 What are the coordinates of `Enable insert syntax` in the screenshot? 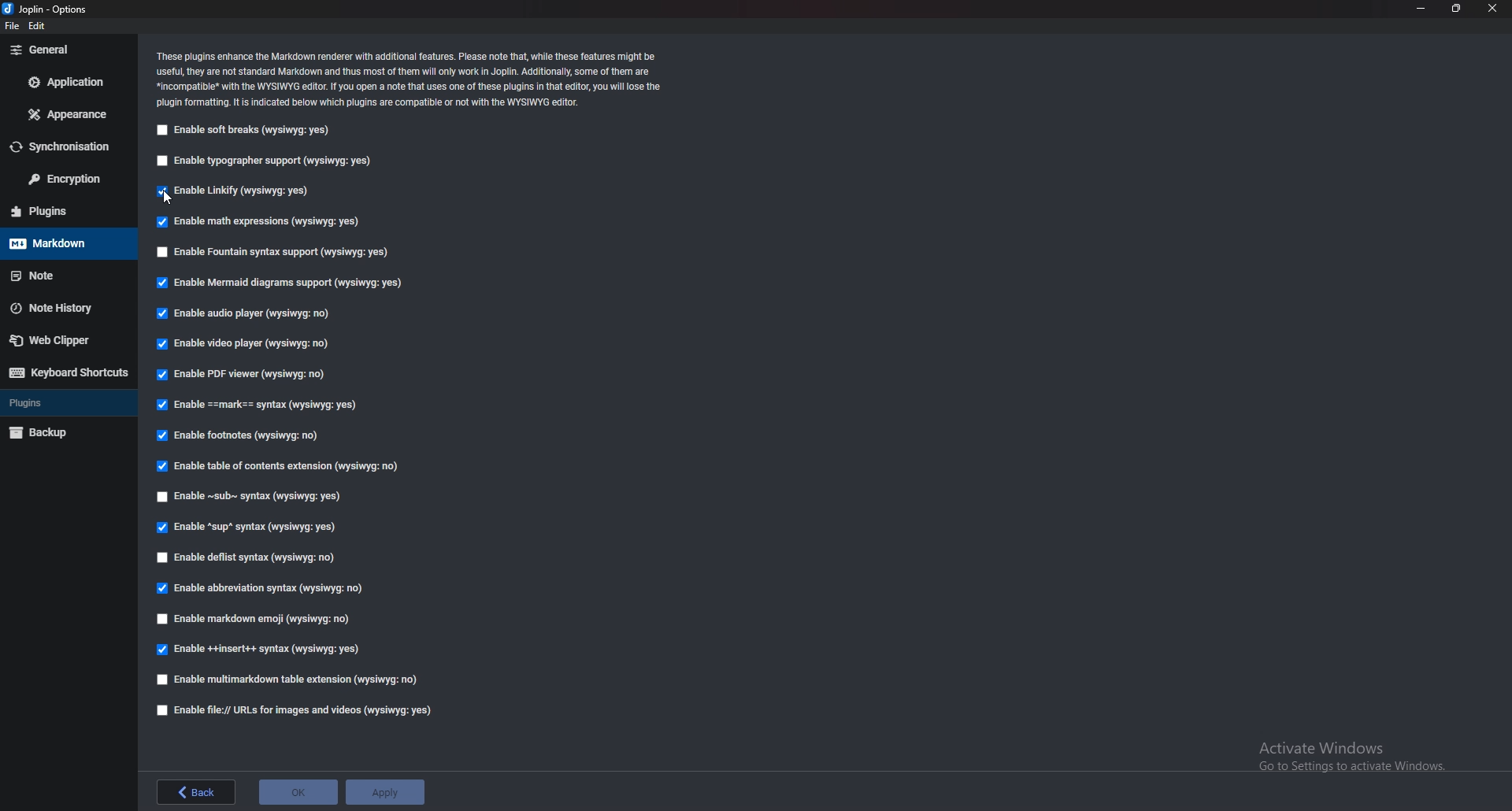 It's located at (258, 652).